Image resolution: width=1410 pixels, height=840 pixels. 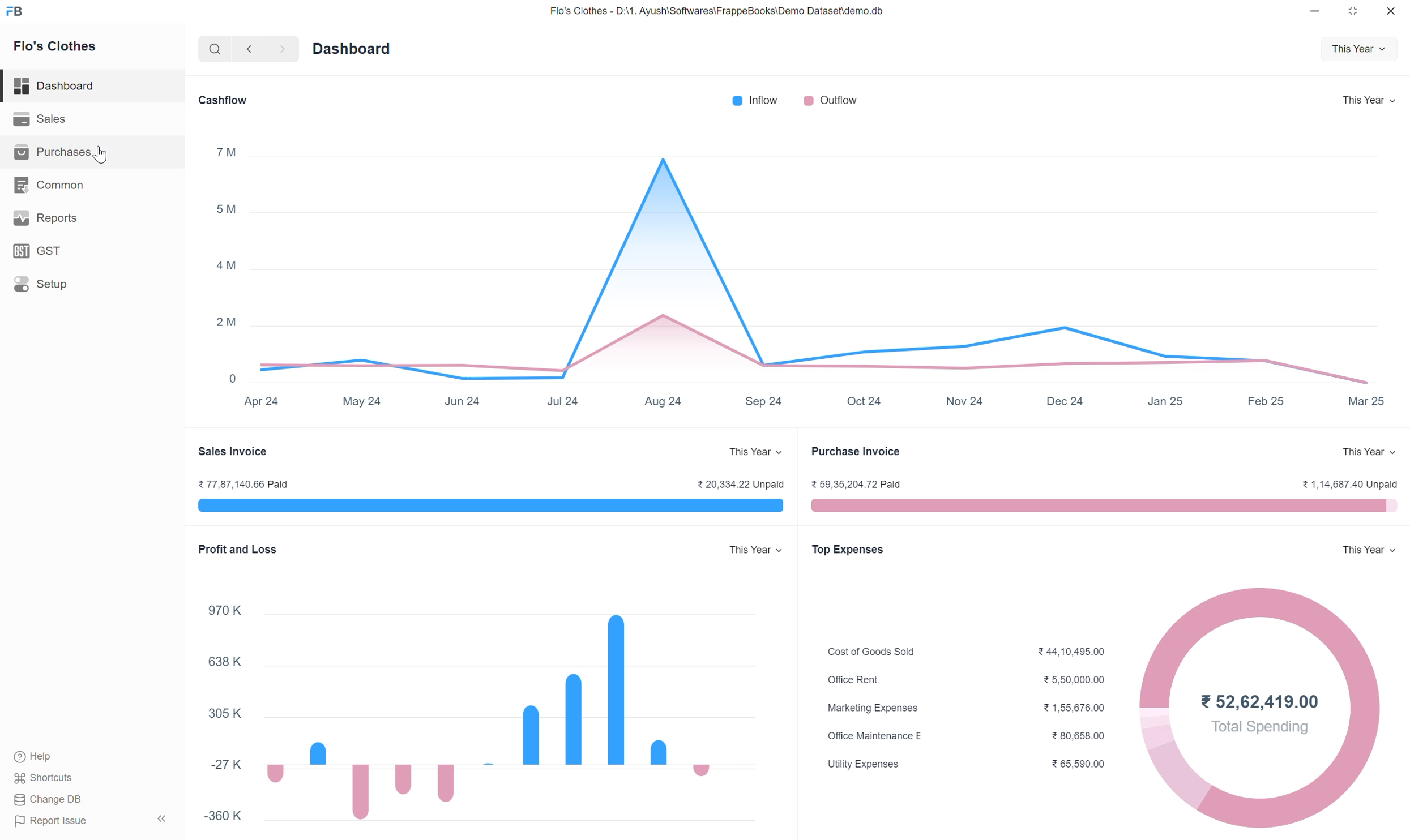 I want to click on blue progress bar, so click(x=490, y=507).